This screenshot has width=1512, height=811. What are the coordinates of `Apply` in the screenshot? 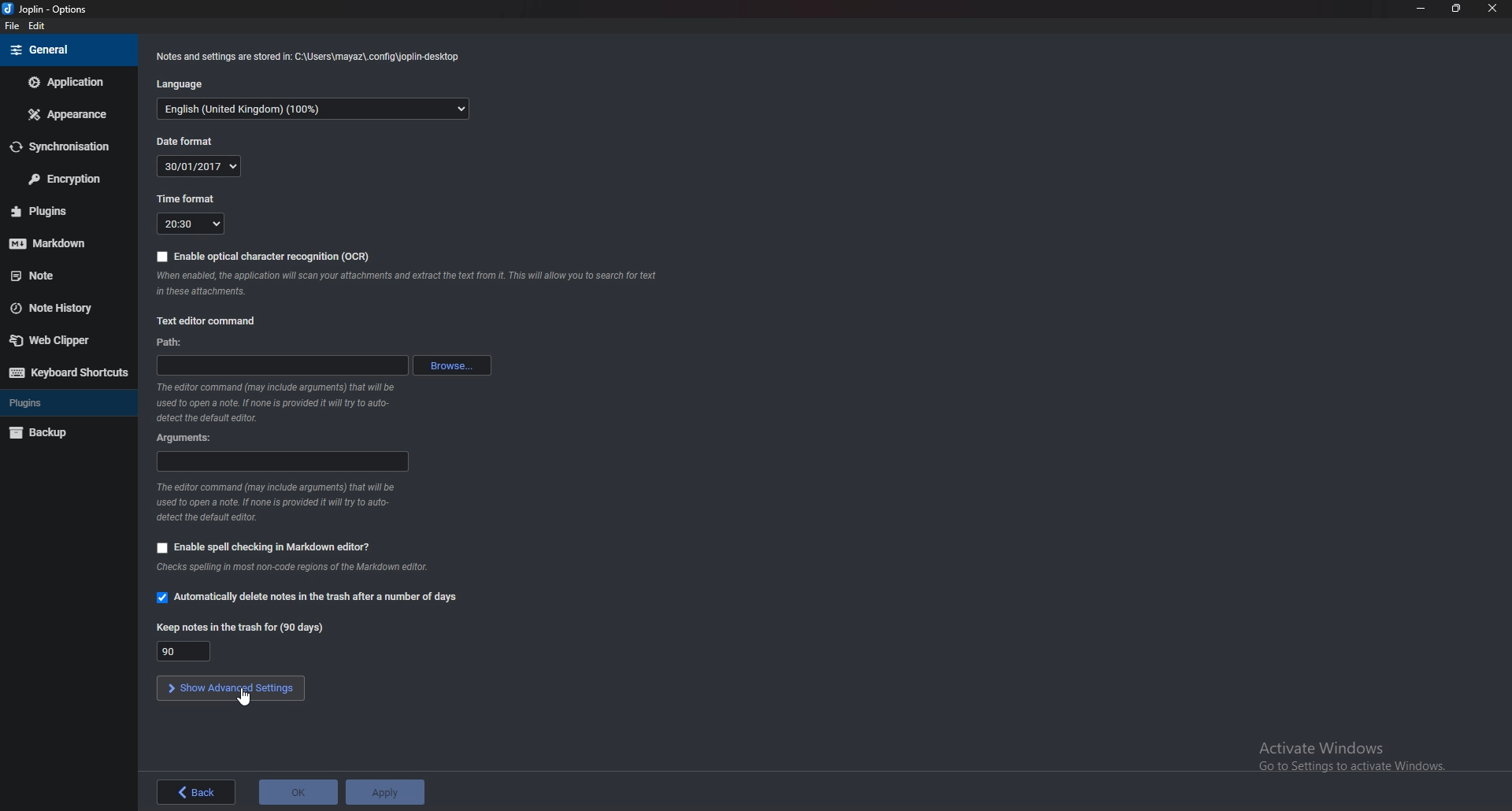 It's located at (387, 791).